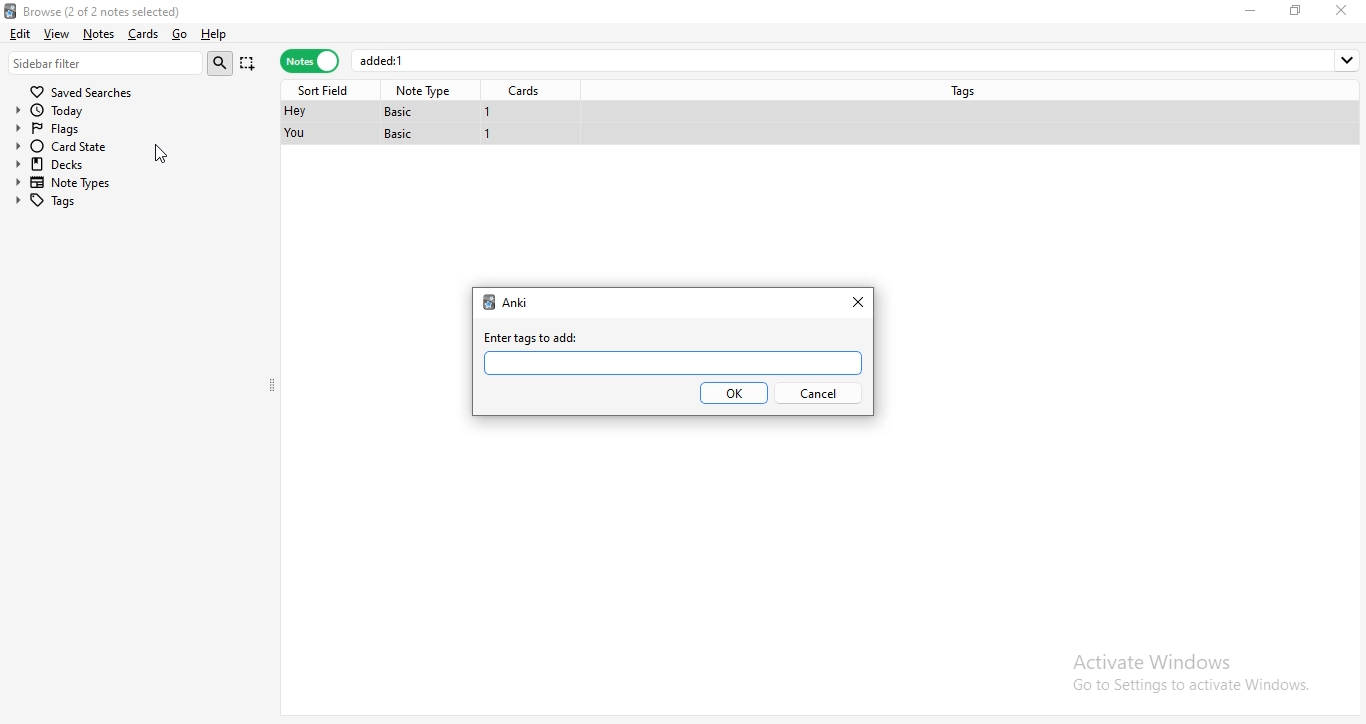 This screenshot has width=1366, height=724. I want to click on ok, so click(733, 393).